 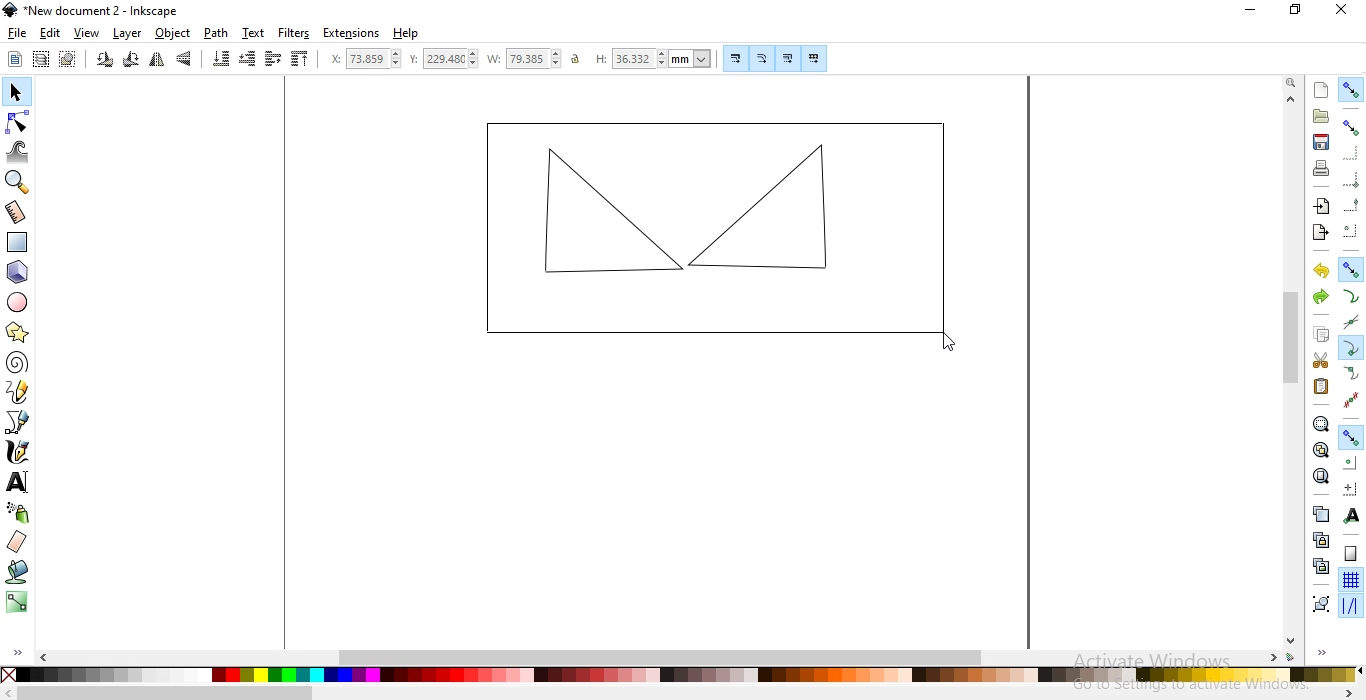 I want to click on snap to page border, so click(x=1350, y=554).